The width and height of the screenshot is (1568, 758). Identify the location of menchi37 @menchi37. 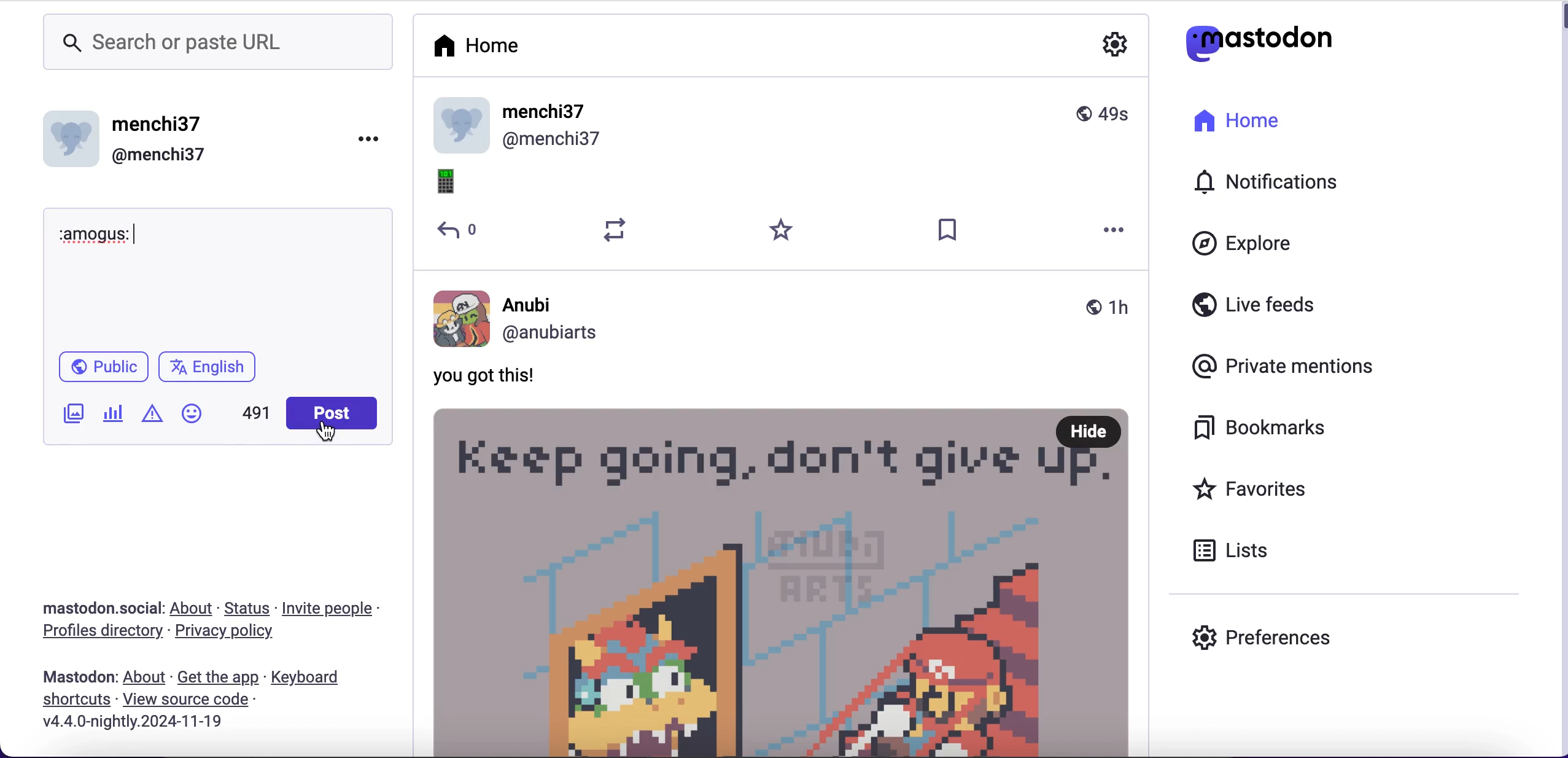
(131, 142).